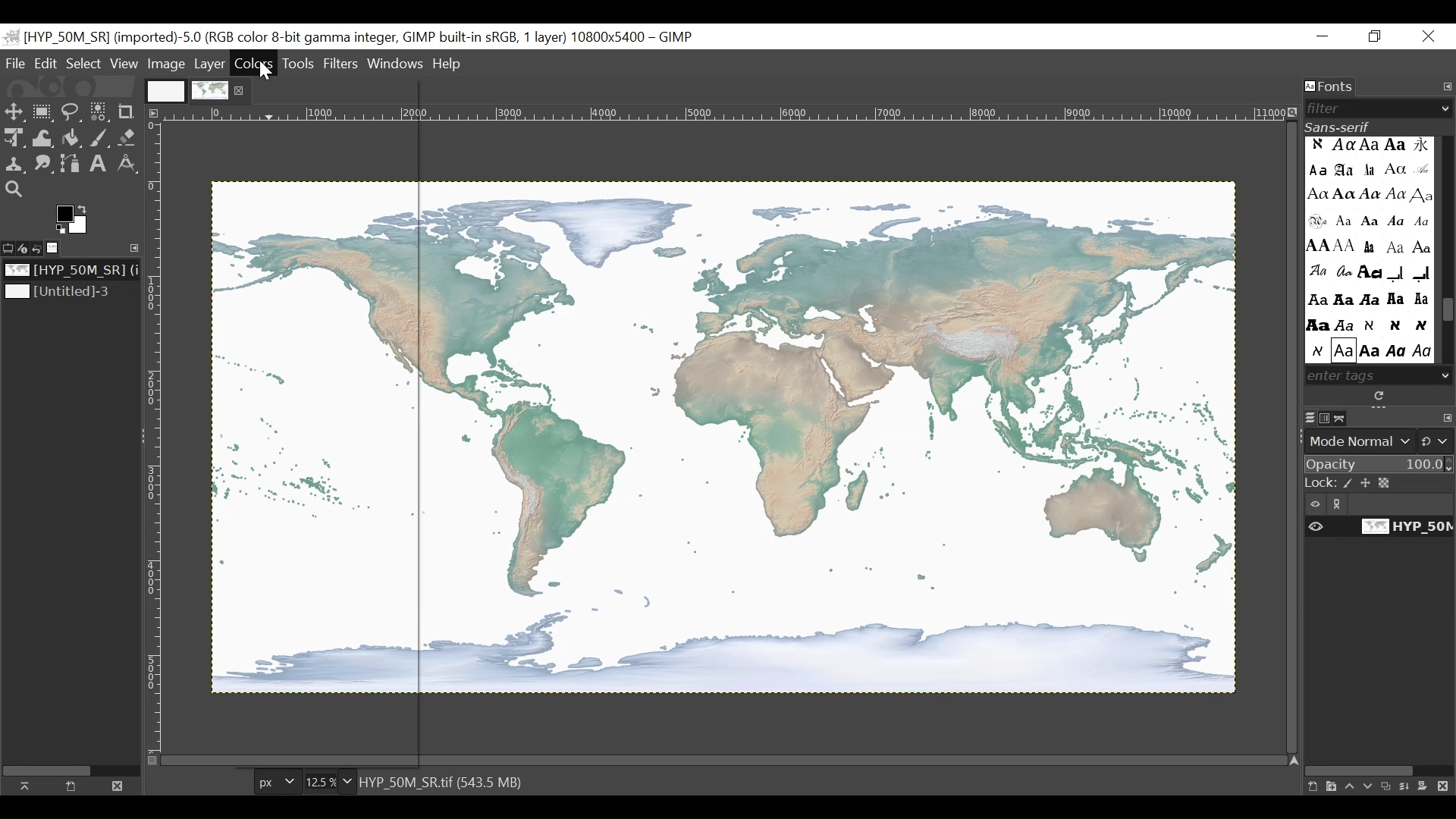  What do you see at coordinates (1381, 441) in the screenshot?
I see `Mode Normal` at bounding box center [1381, 441].